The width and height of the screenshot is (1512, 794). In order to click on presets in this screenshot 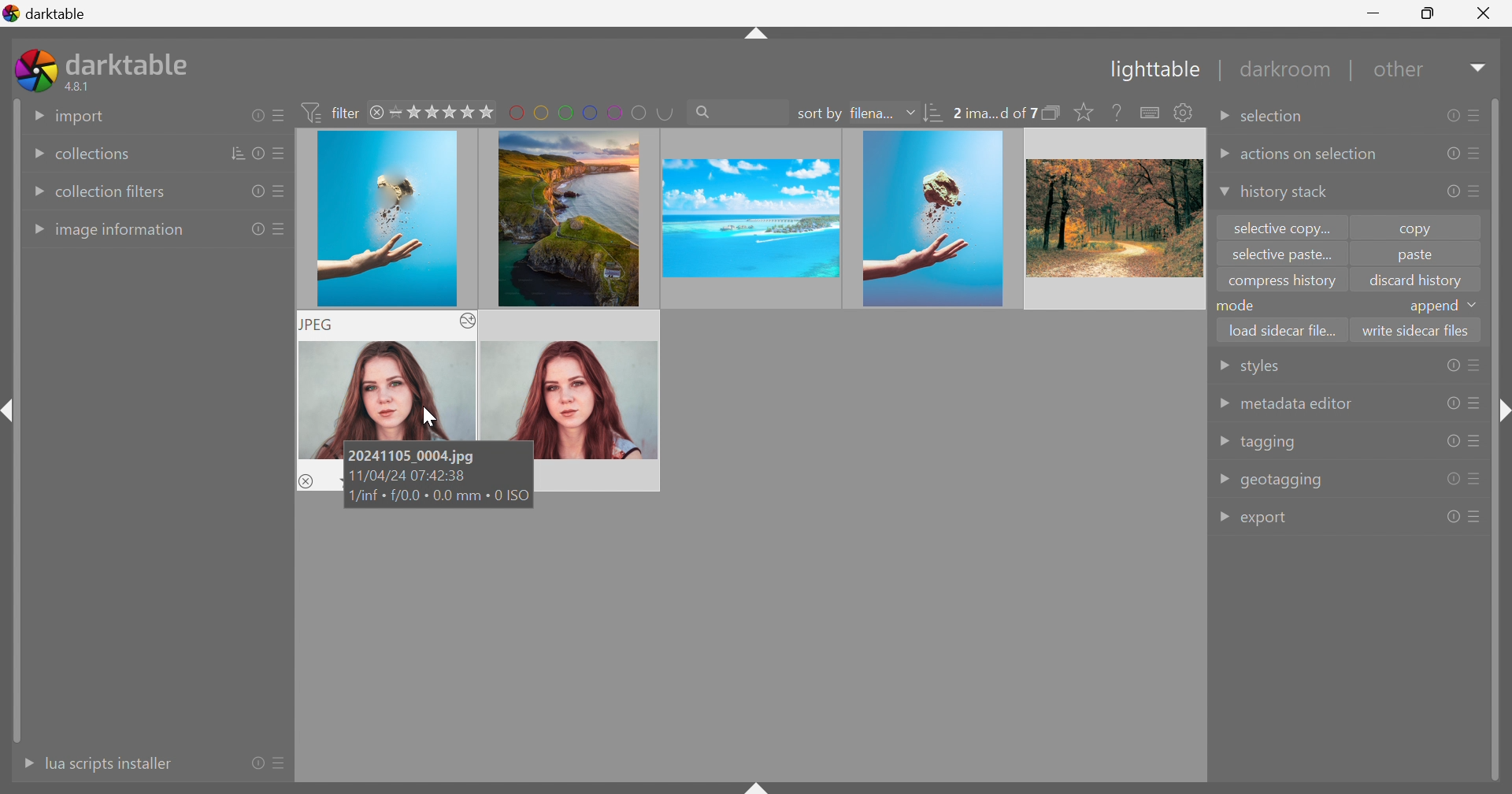, I will do `click(1476, 441)`.